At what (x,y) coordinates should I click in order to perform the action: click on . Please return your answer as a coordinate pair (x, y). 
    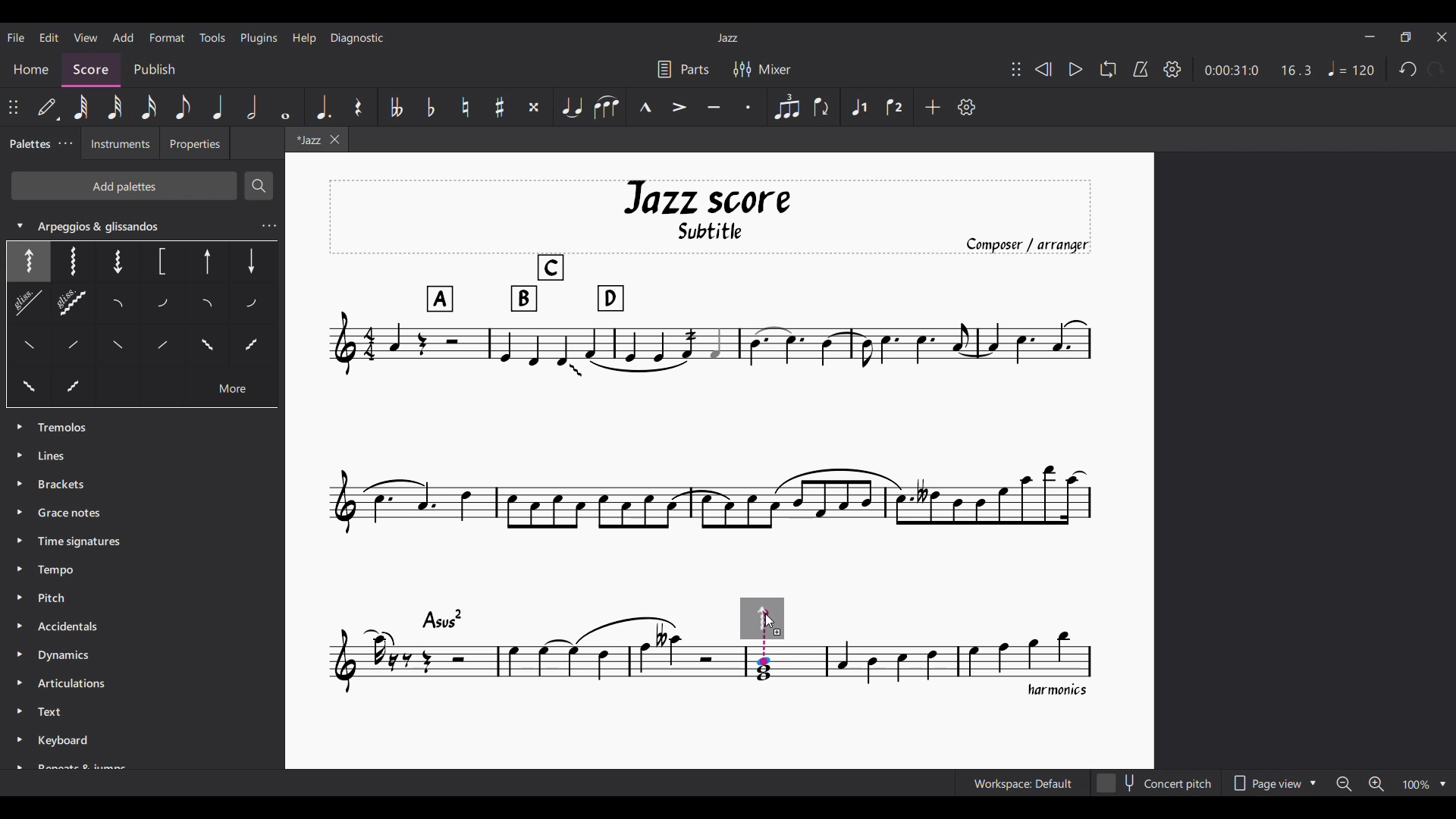
    Looking at the image, I should click on (120, 262).